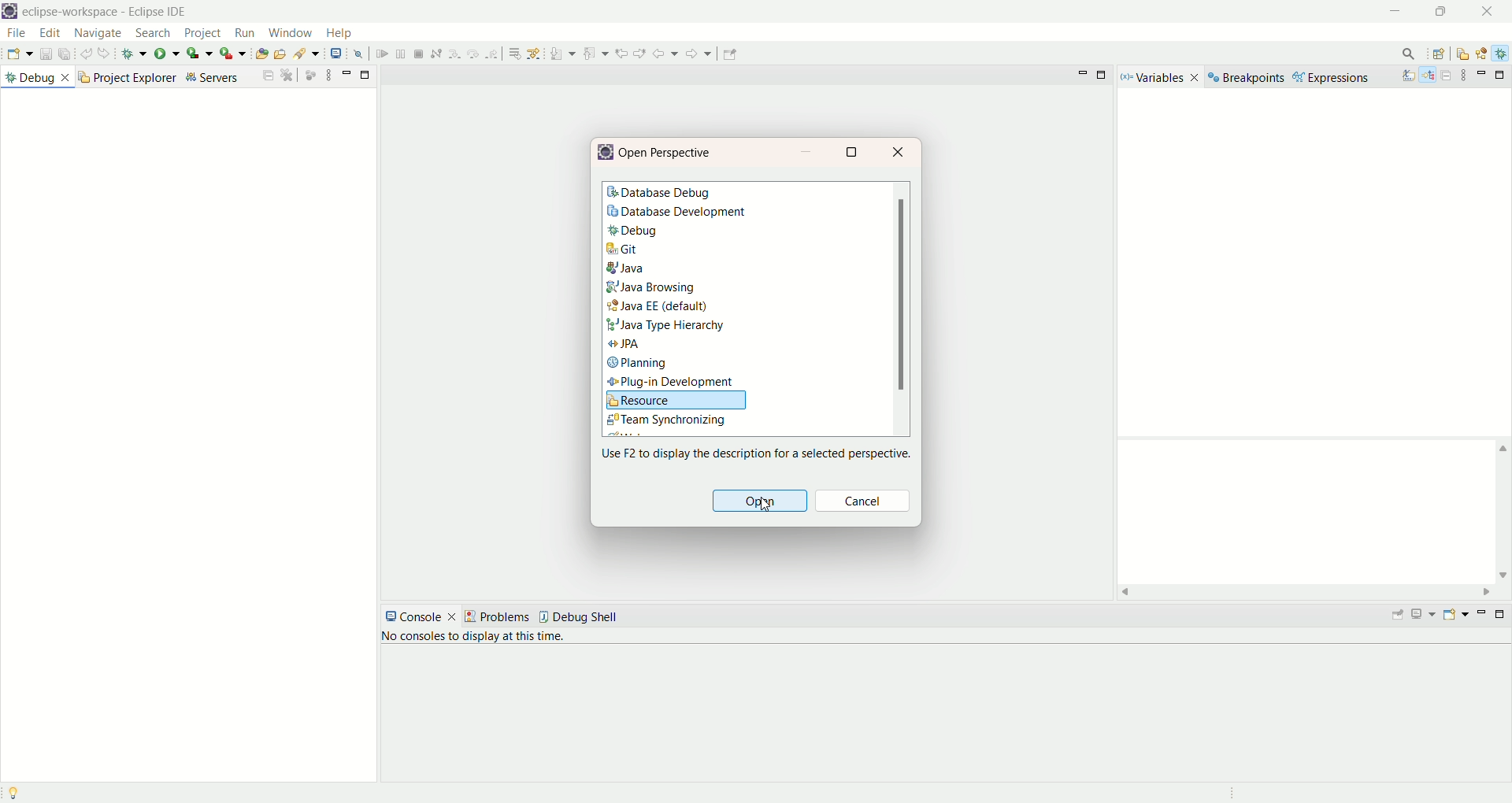  Describe the element at coordinates (154, 32) in the screenshot. I see `search` at that location.